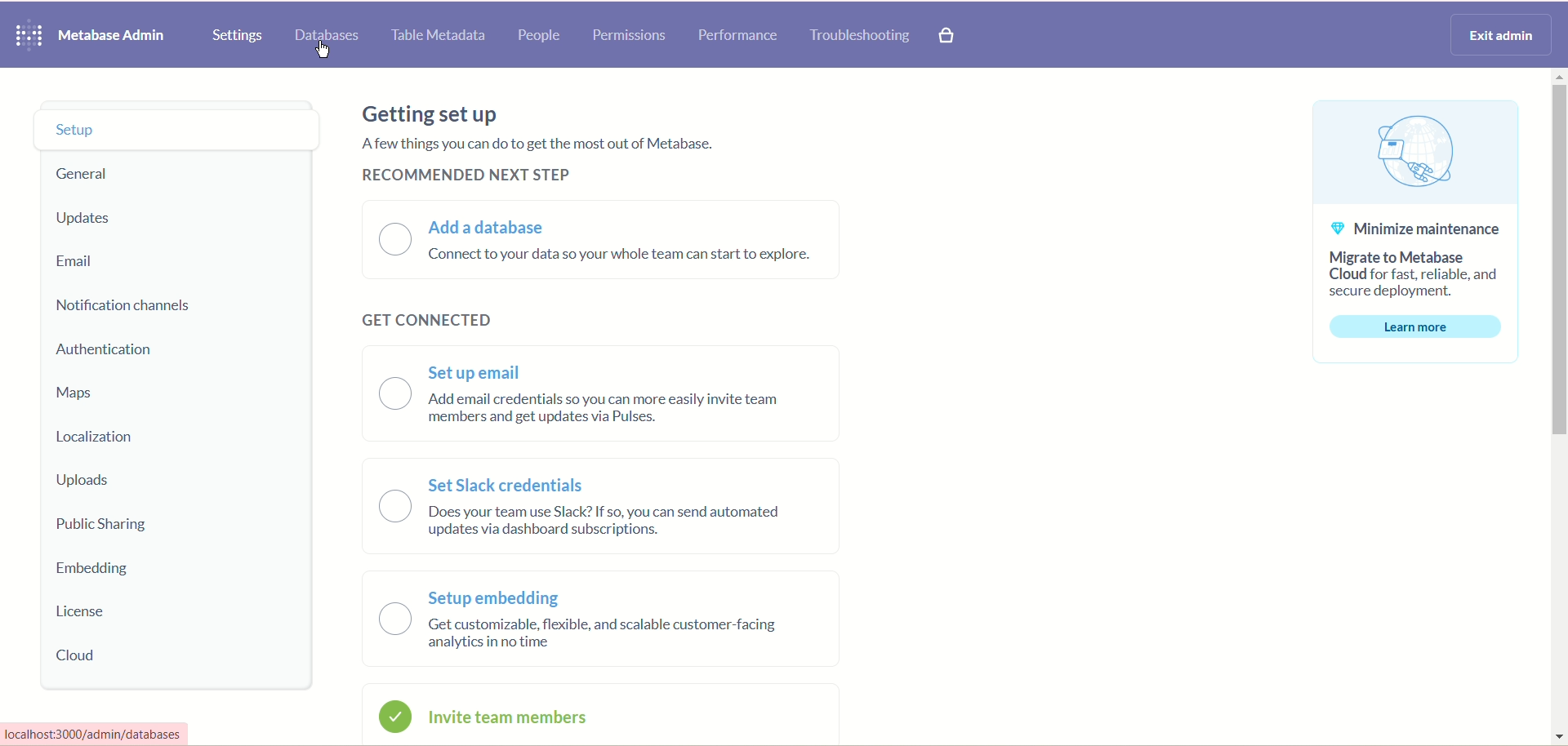 The width and height of the screenshot is (1568, 746). Describe the element at coordinates (96, 569) in the screenshot. I see `embedding` at that location.